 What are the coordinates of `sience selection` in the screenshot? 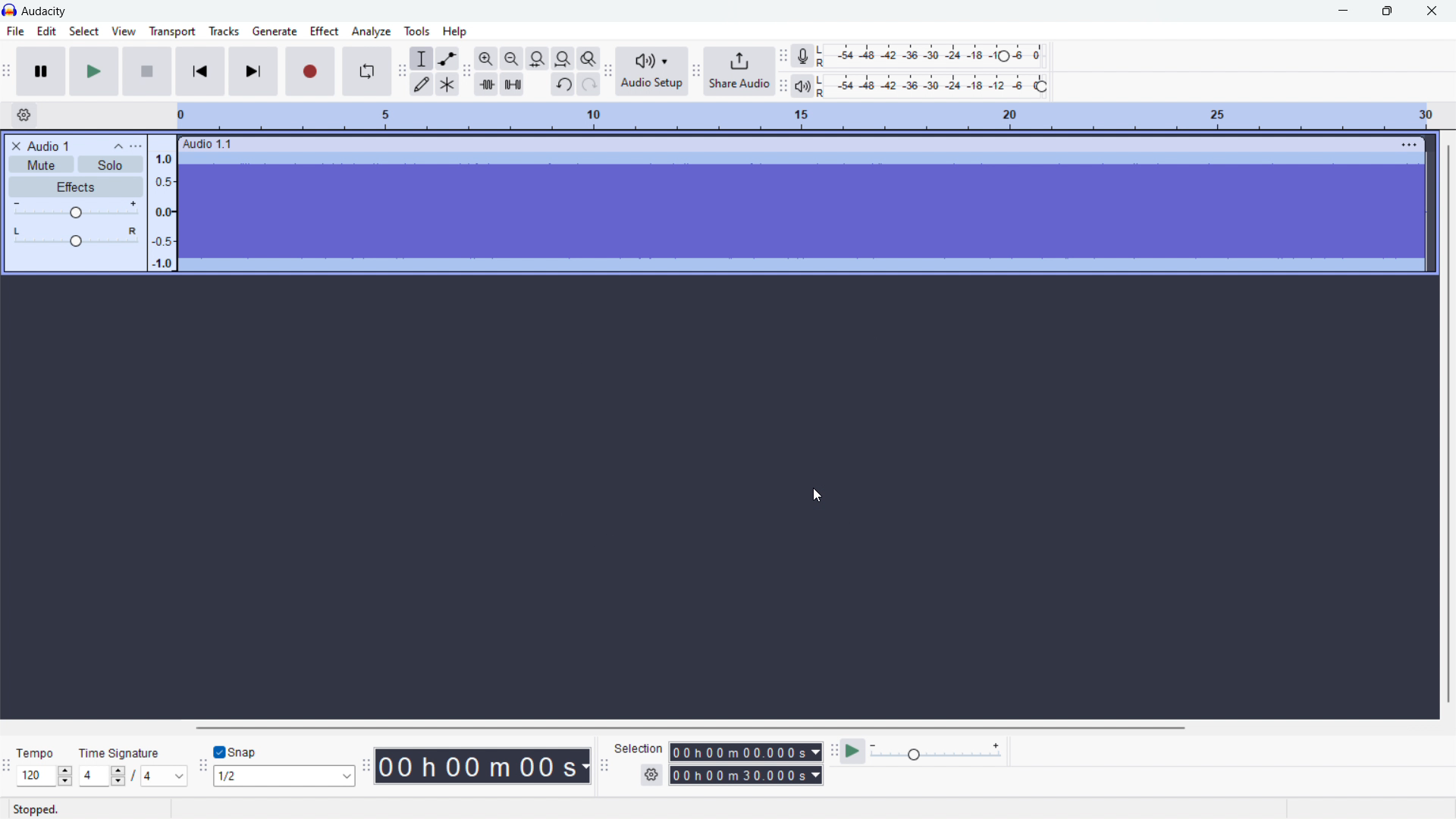 It's located at (513, 83).